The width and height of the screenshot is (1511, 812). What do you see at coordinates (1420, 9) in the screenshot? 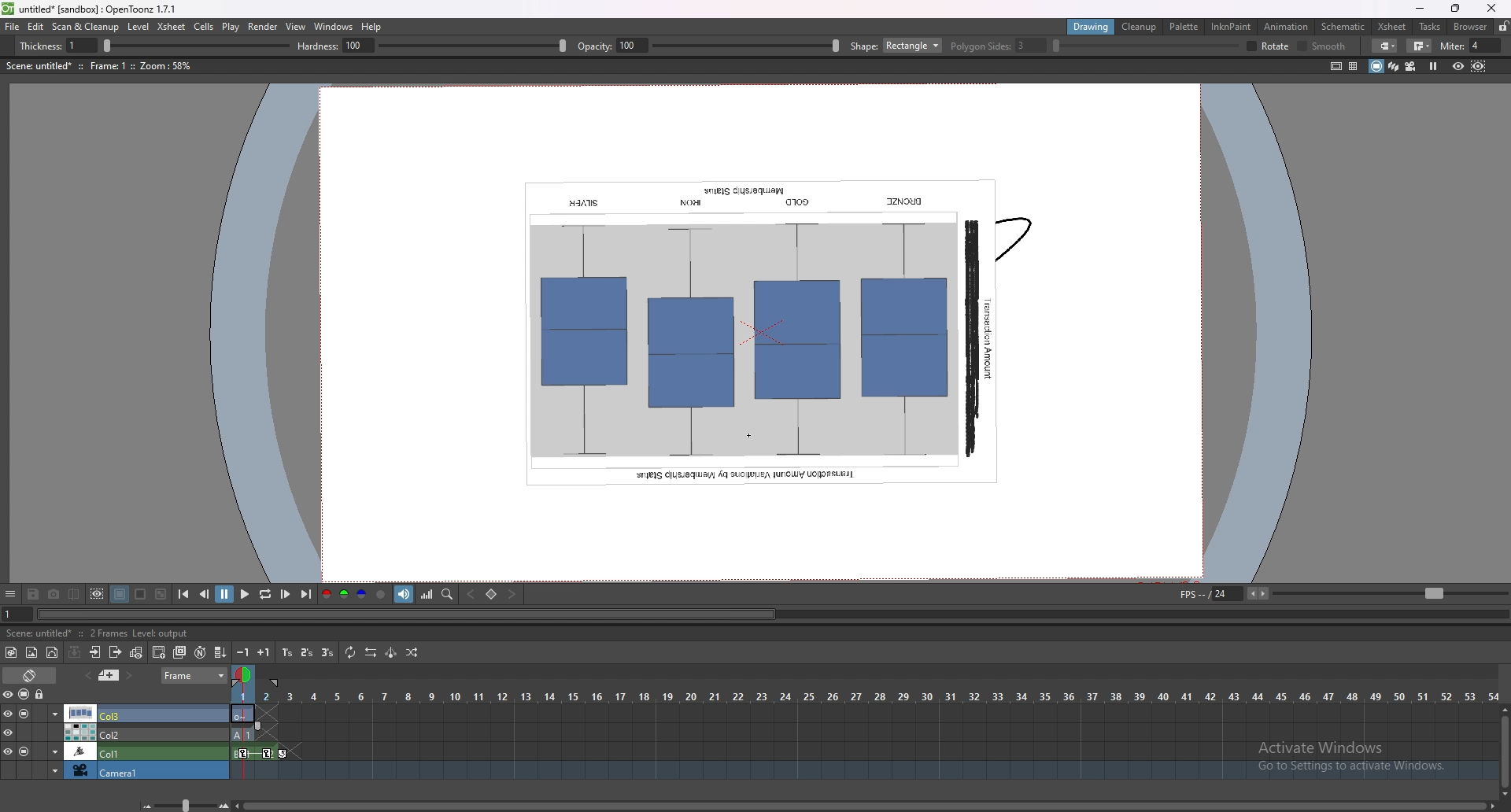
I see `minimize` at bounding box center [1420, 9].